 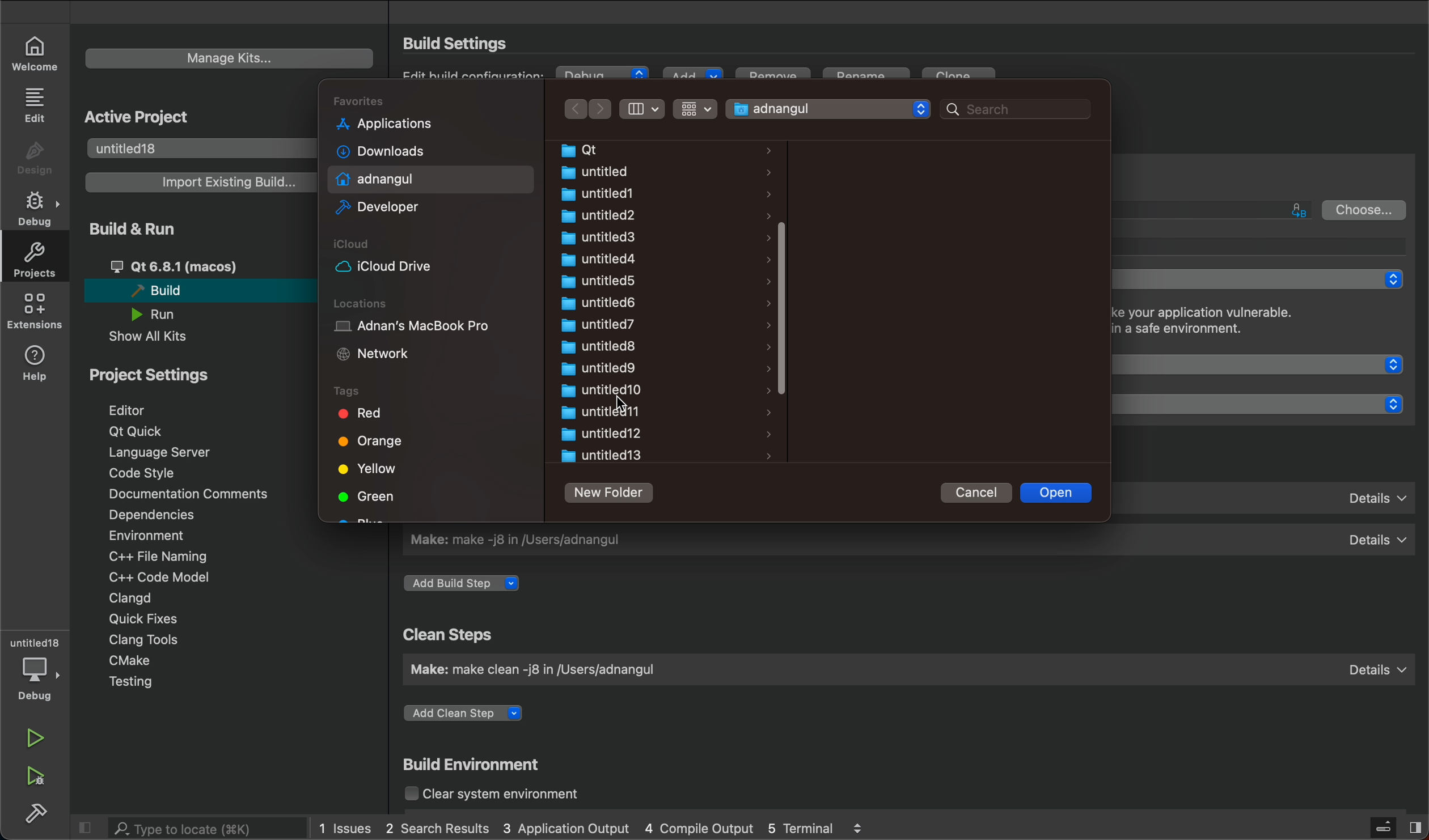 I want to click on untitled, so click(x=650, y=172).